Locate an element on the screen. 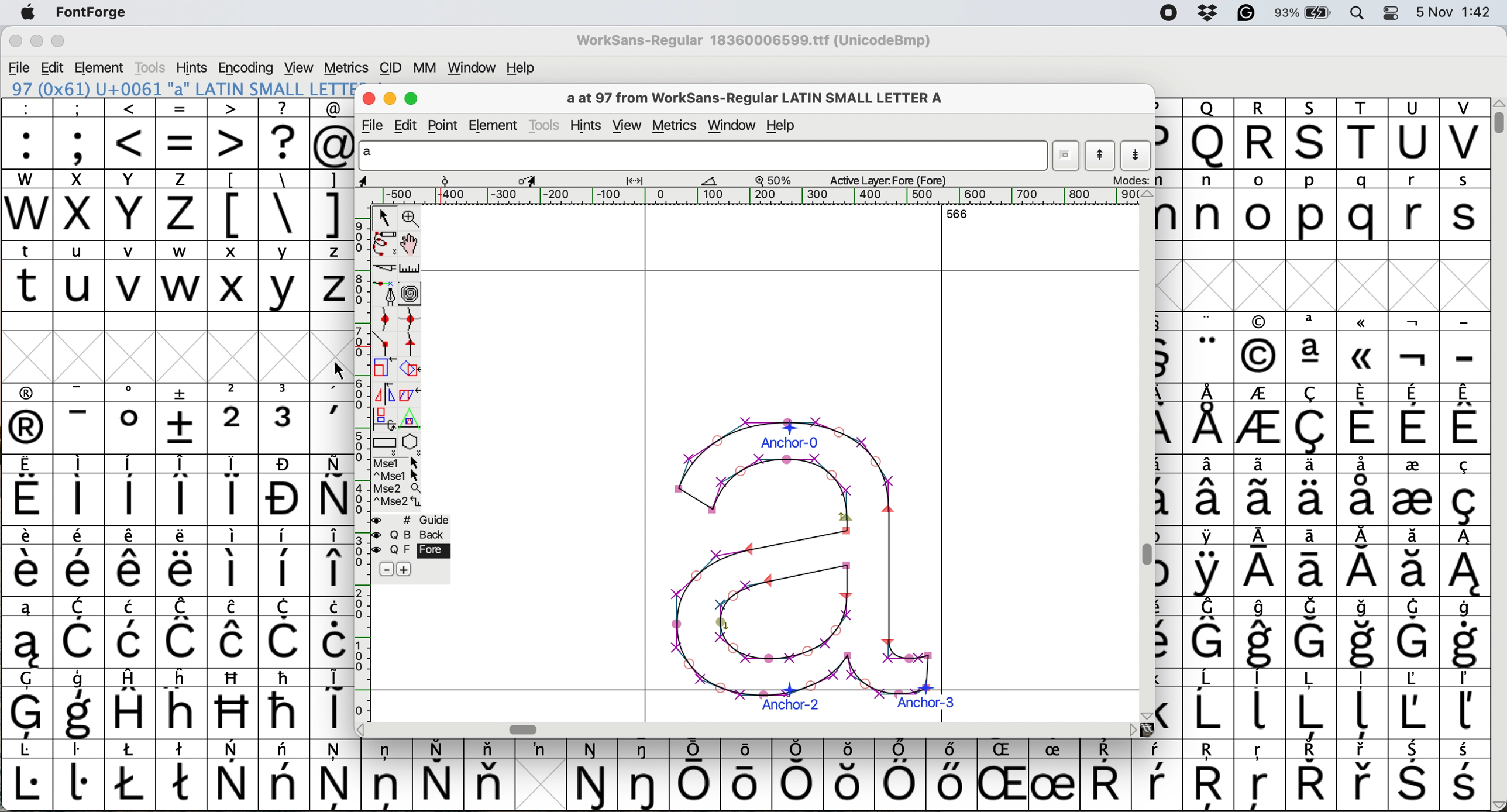 Image resolution: width=1507 pixels, height=812 pixels. symbol is located at coordinates (489, 774).